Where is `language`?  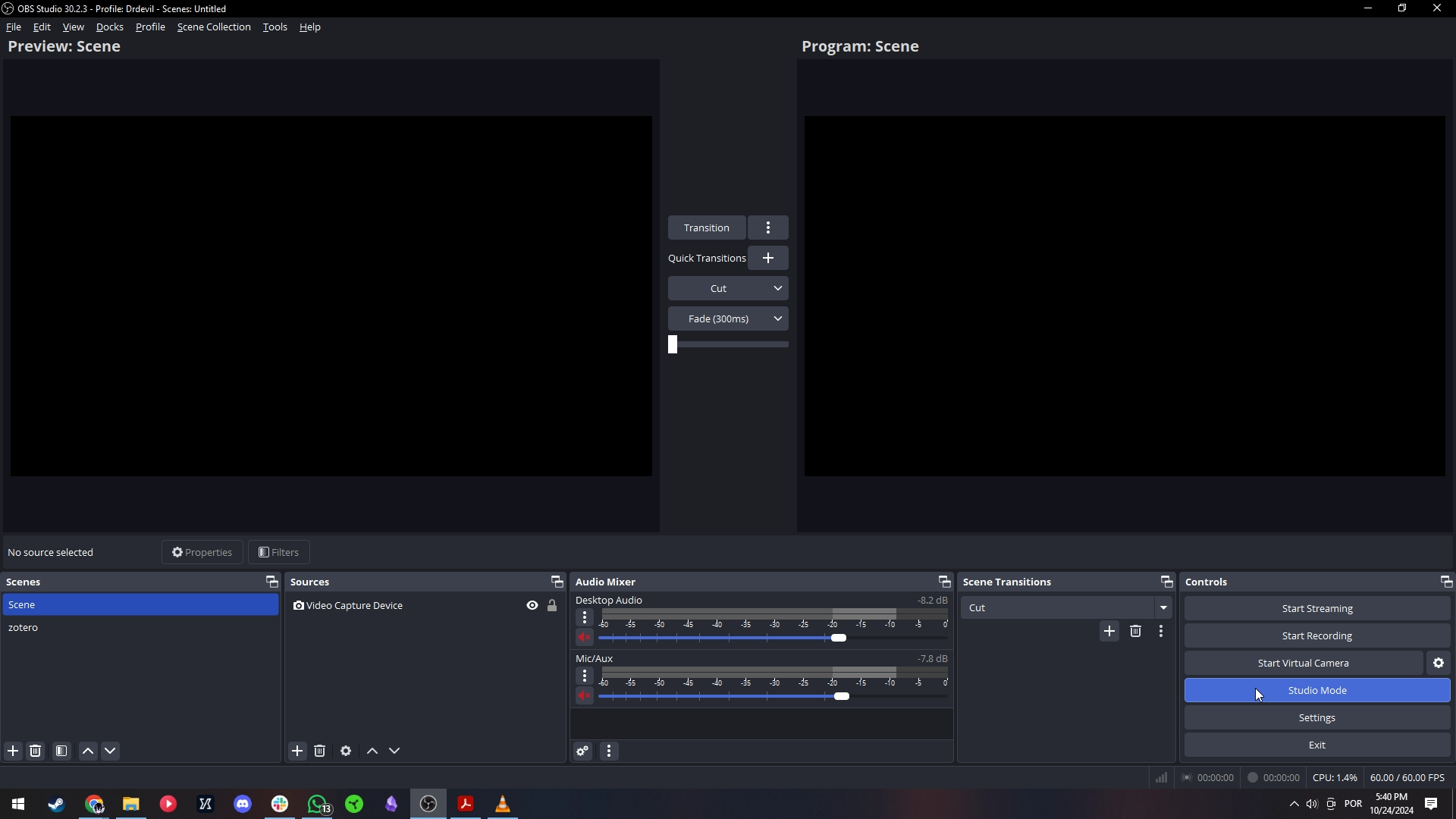 language is located at coordinates (1354, 806).